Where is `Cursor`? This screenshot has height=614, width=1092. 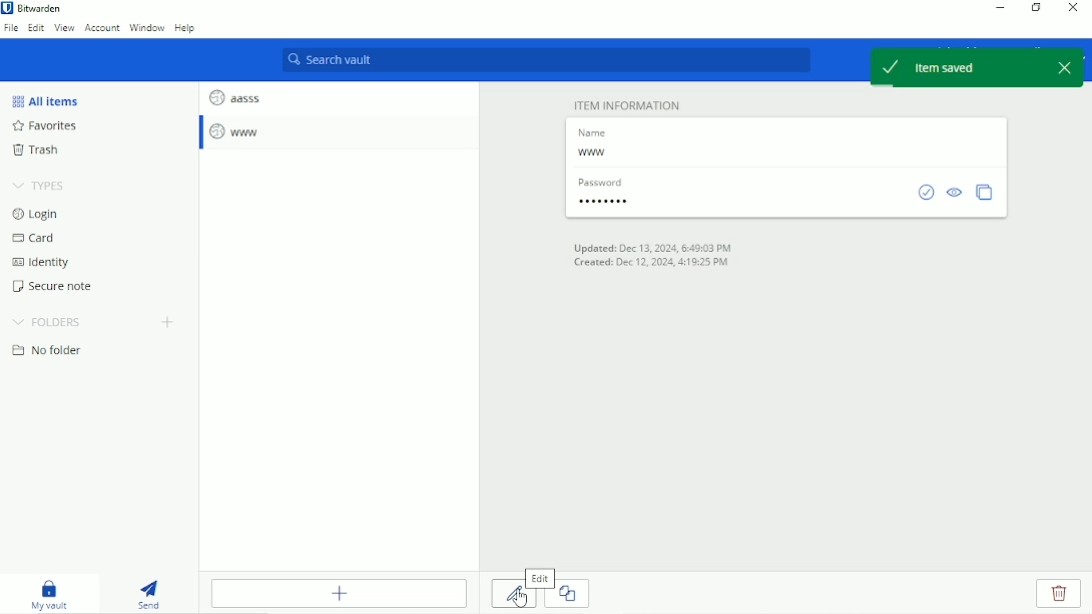 Cursor is located at coordinates (516, 599).